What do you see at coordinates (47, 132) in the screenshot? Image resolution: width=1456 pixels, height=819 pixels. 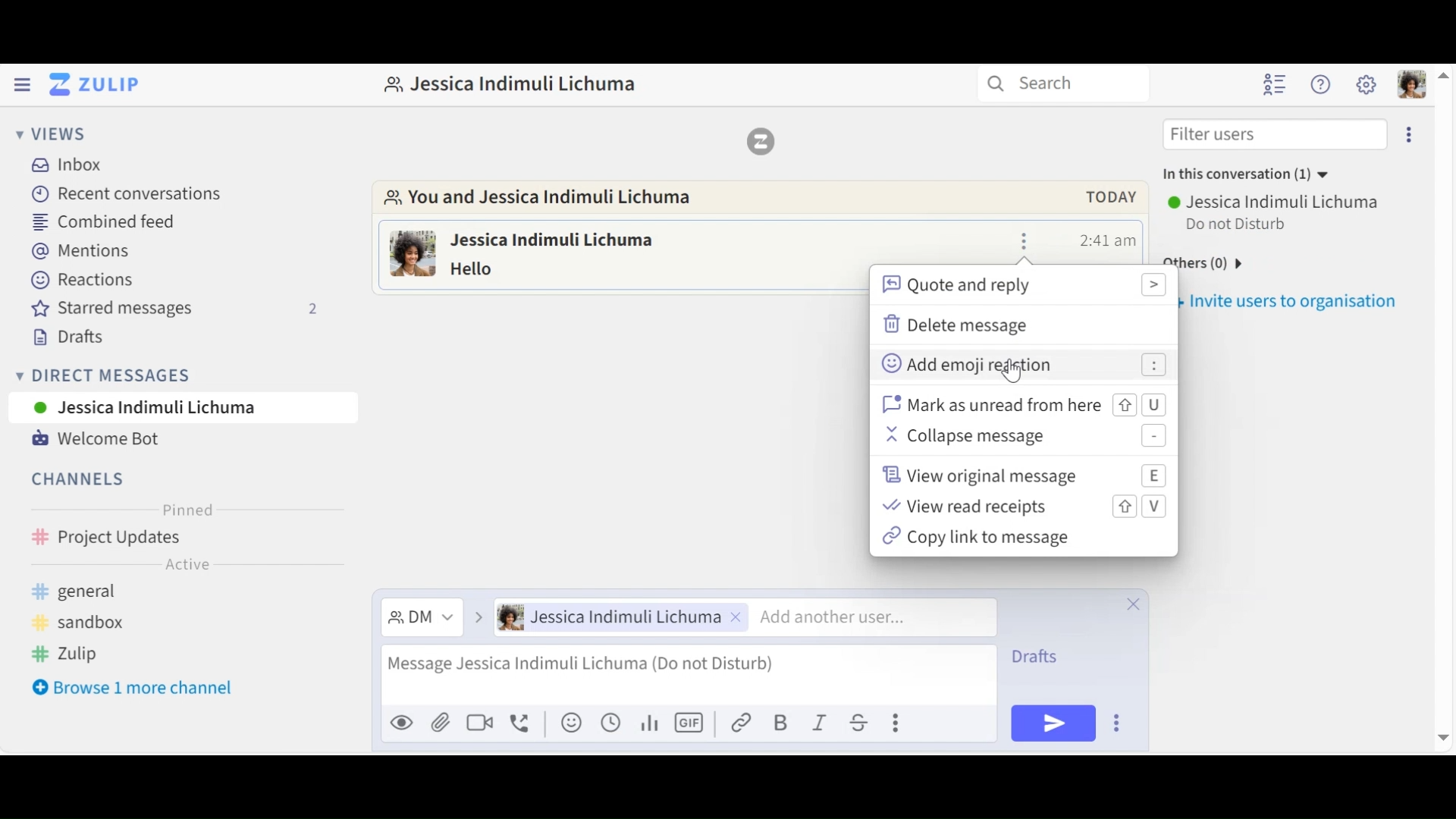 I see `Views` at bounding box center [47, 132].